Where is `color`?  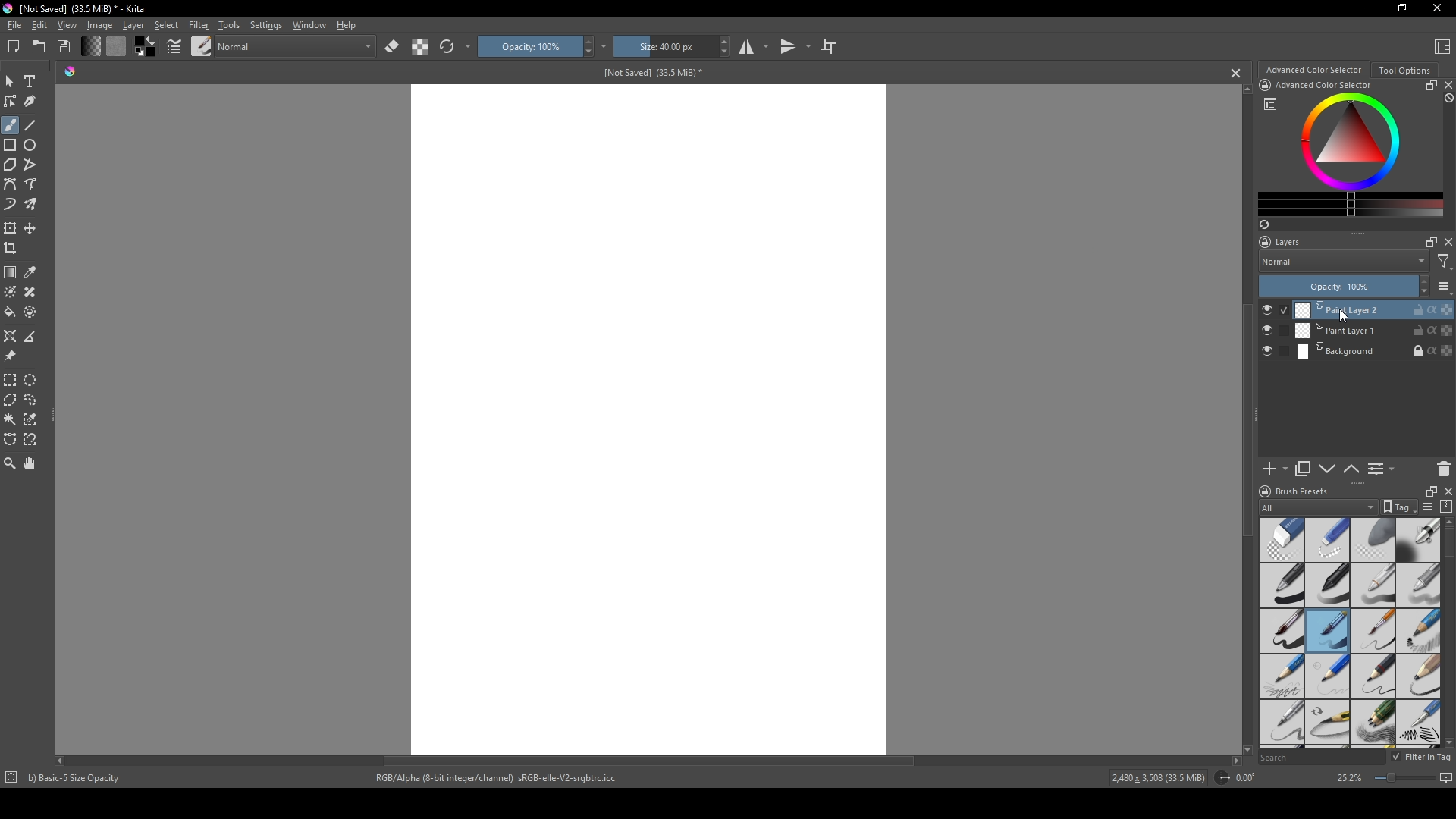 color is located at coordinates (115, 46).